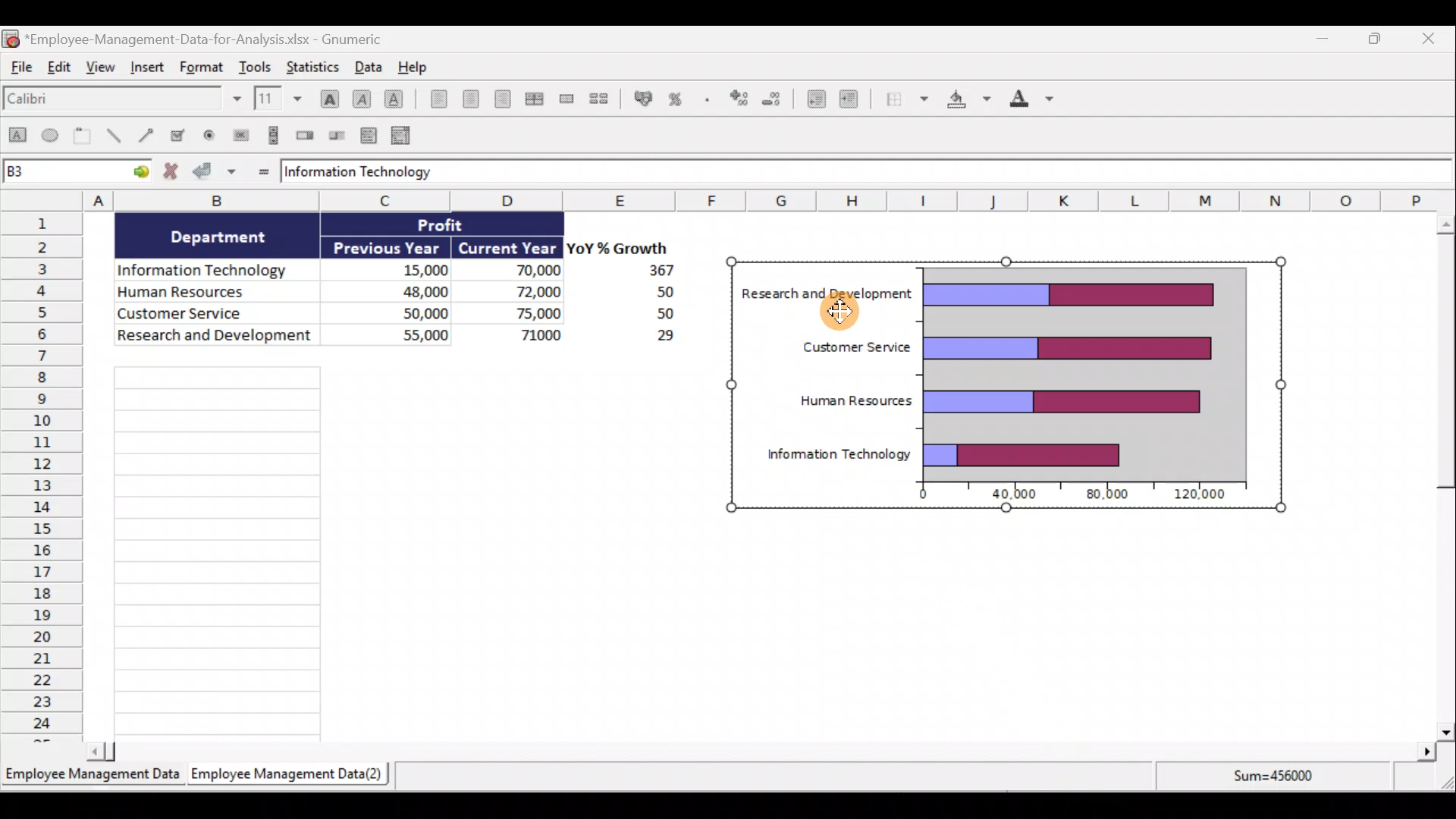  Describe the element at coordinates (854, 400) in the screenshot. I see `Human Resources` at that location.